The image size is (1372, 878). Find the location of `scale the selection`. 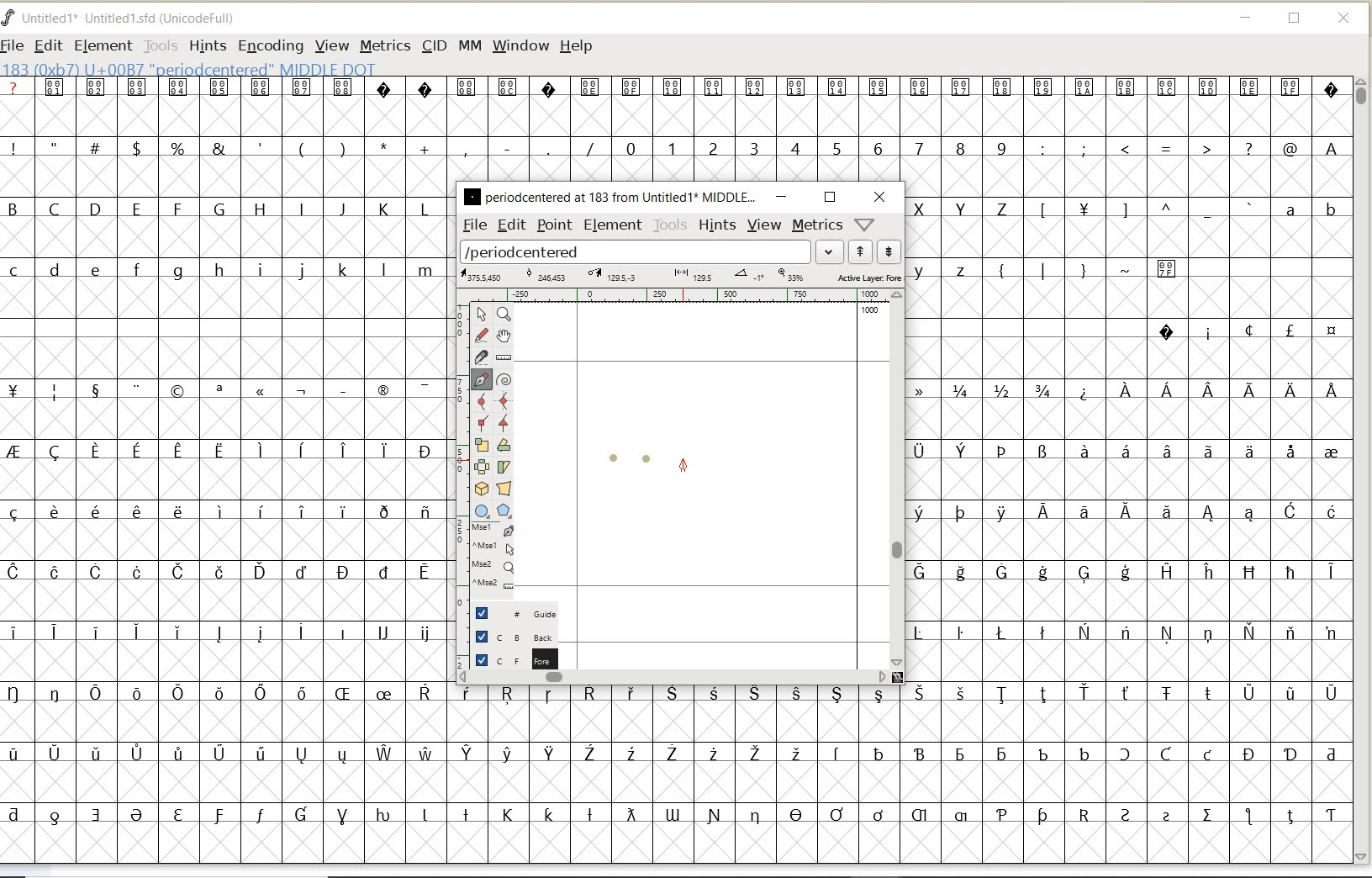

scale the selection is located at coordinates (480, 446).